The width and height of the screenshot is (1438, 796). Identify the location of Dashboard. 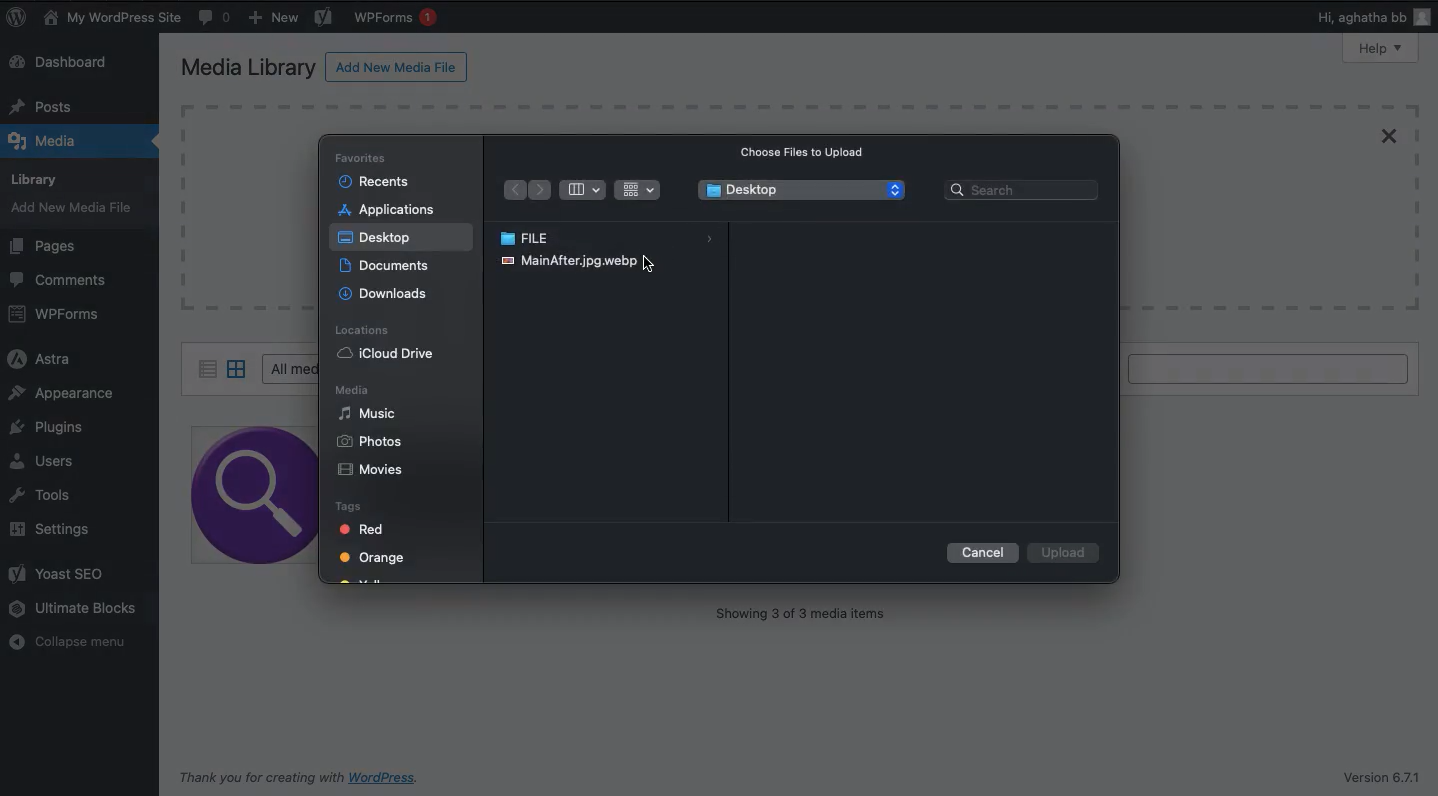
(75, 62).